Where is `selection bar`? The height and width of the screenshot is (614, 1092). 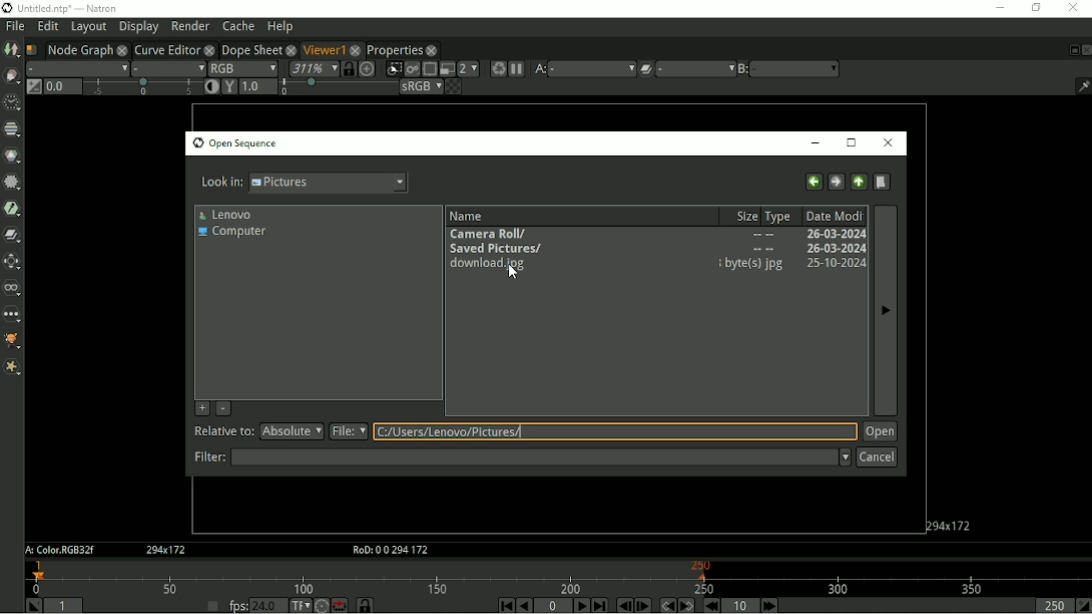 selection bar is located at coordinates (142, 87).